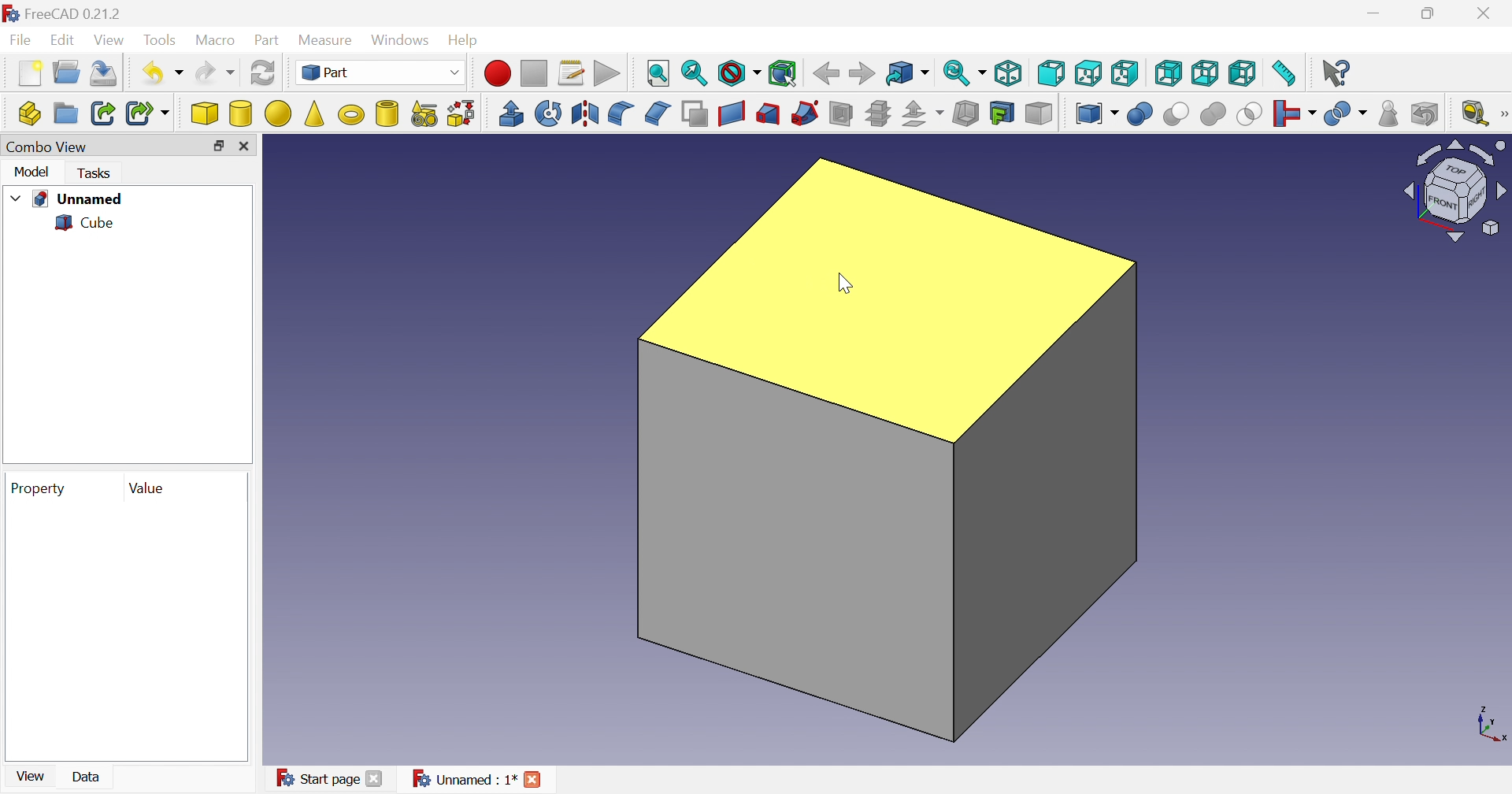 This screenshot has width=1512, height=794. Describe the element at coordinates (47, 147) in the screenshot. I see `Combo View` at that location.